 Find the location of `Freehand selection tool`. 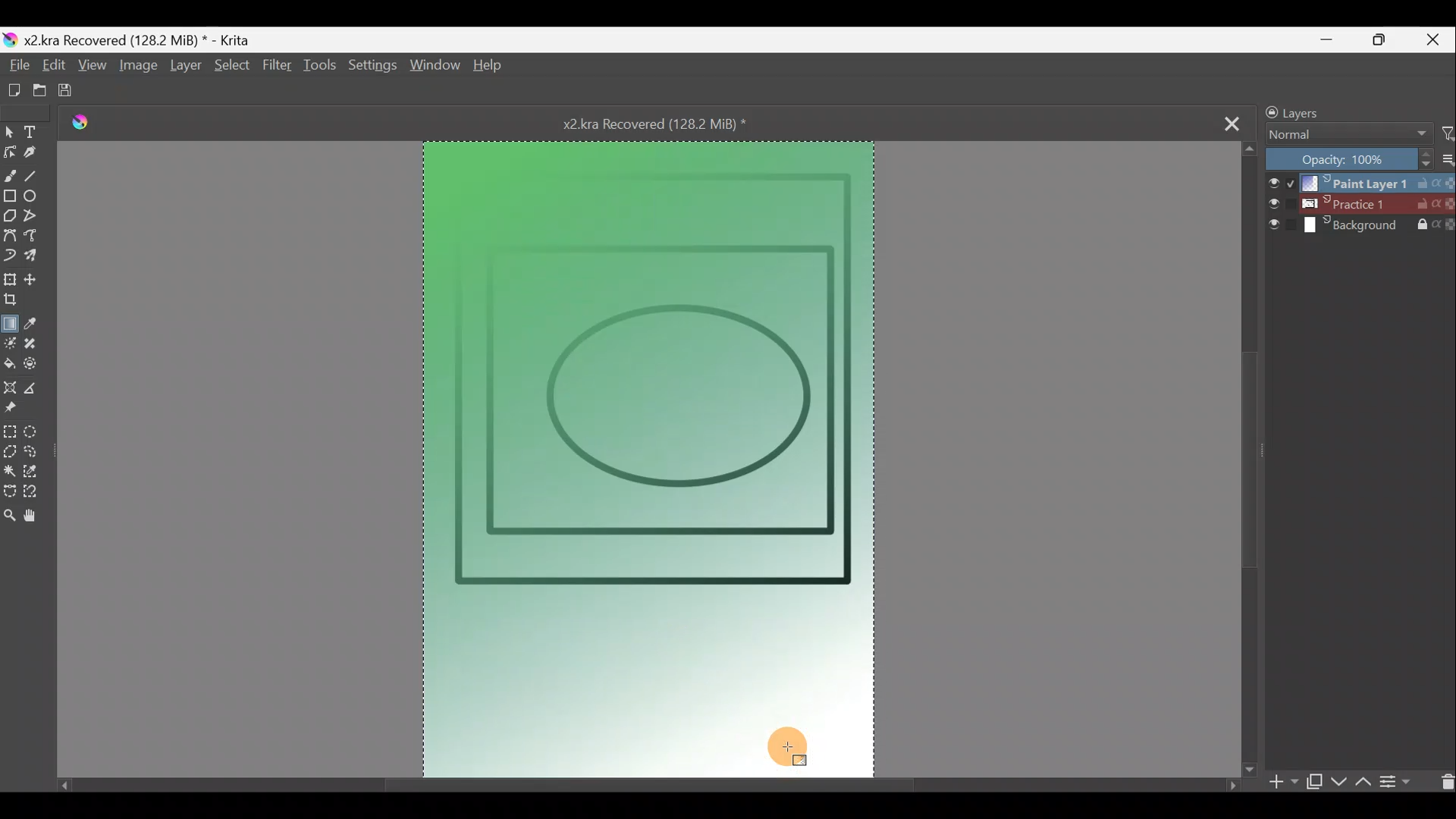

Freehand selection tool is located at coordinates (38, 454).